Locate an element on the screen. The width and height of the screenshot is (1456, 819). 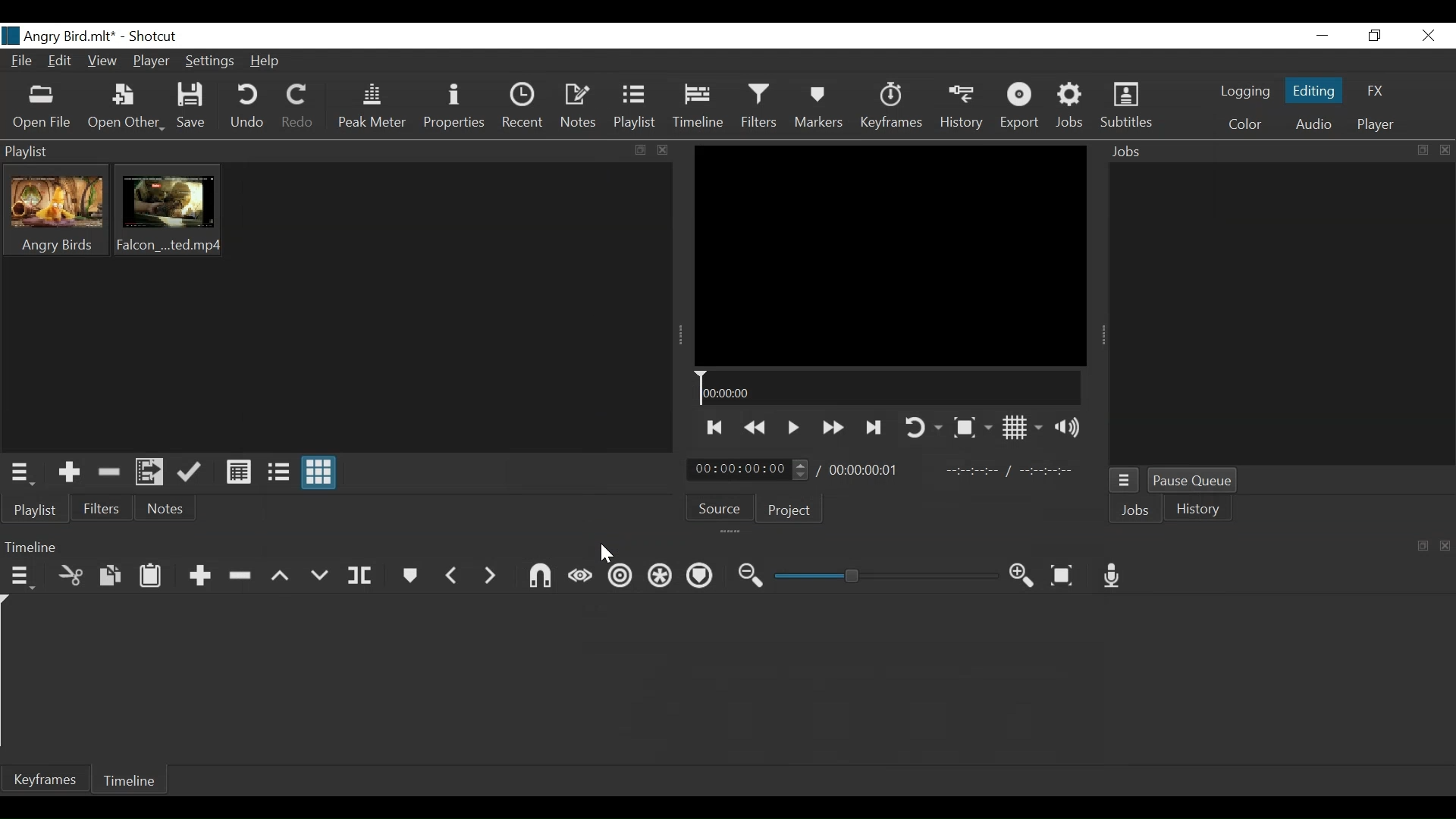
Paste is located at coordinates (153, 578).